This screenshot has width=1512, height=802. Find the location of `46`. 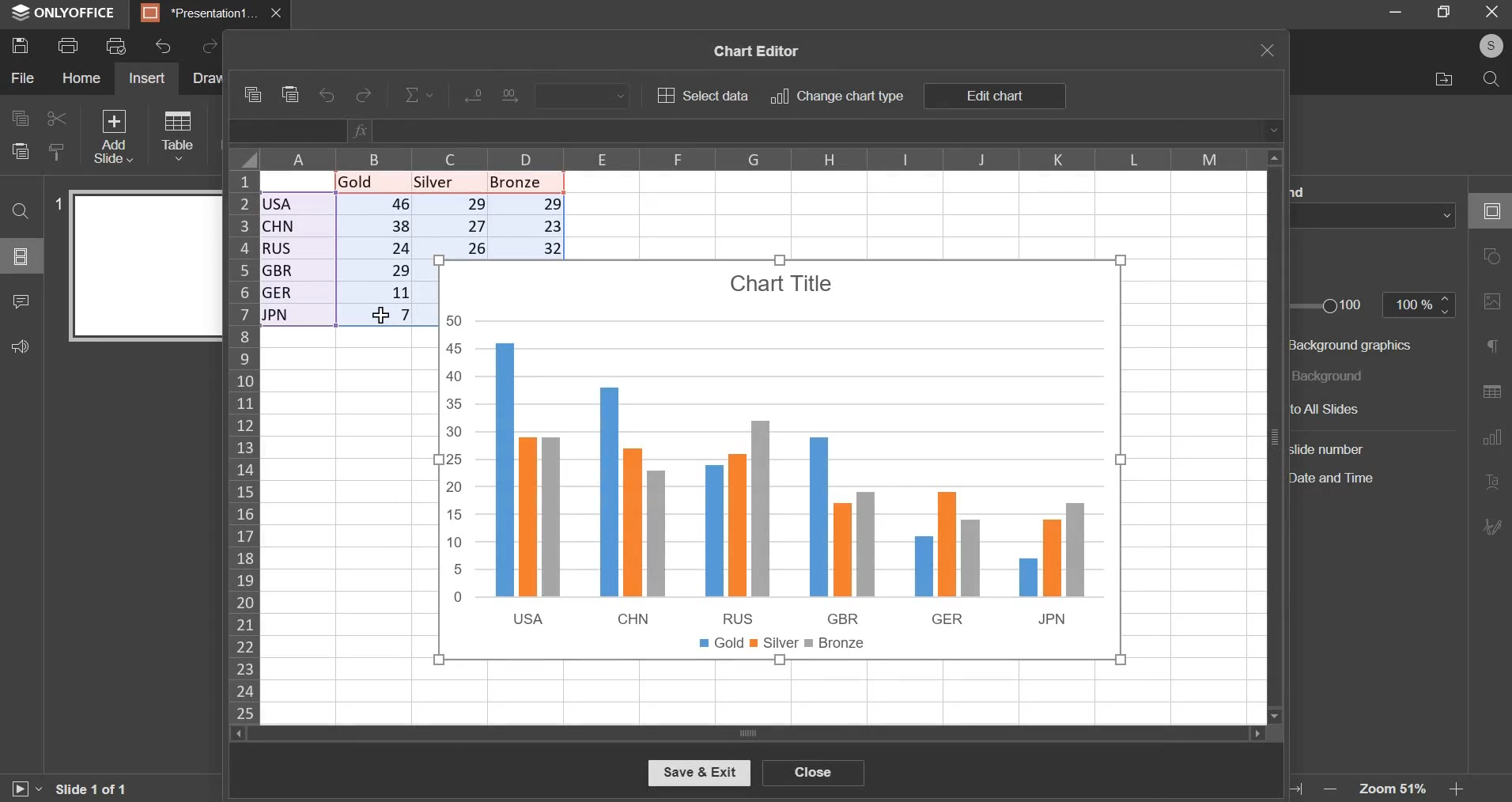

46 is located at coordinates (376, 206).